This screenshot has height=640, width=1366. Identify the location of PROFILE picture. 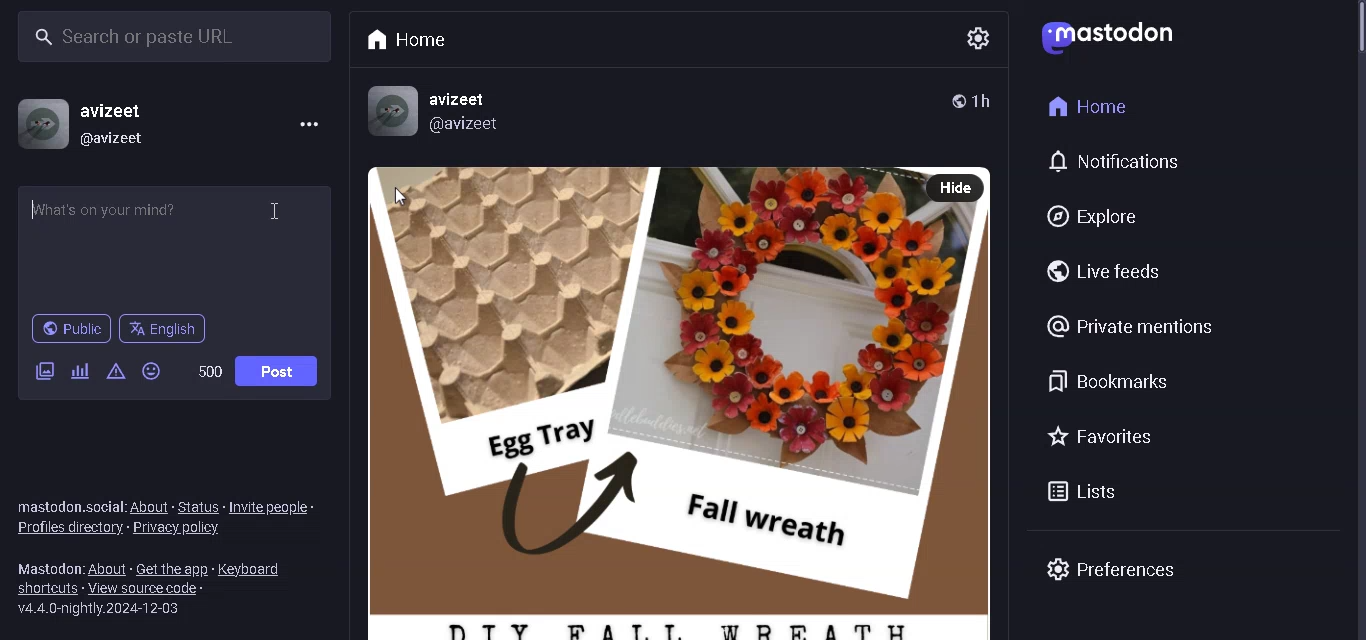
(388, 109).